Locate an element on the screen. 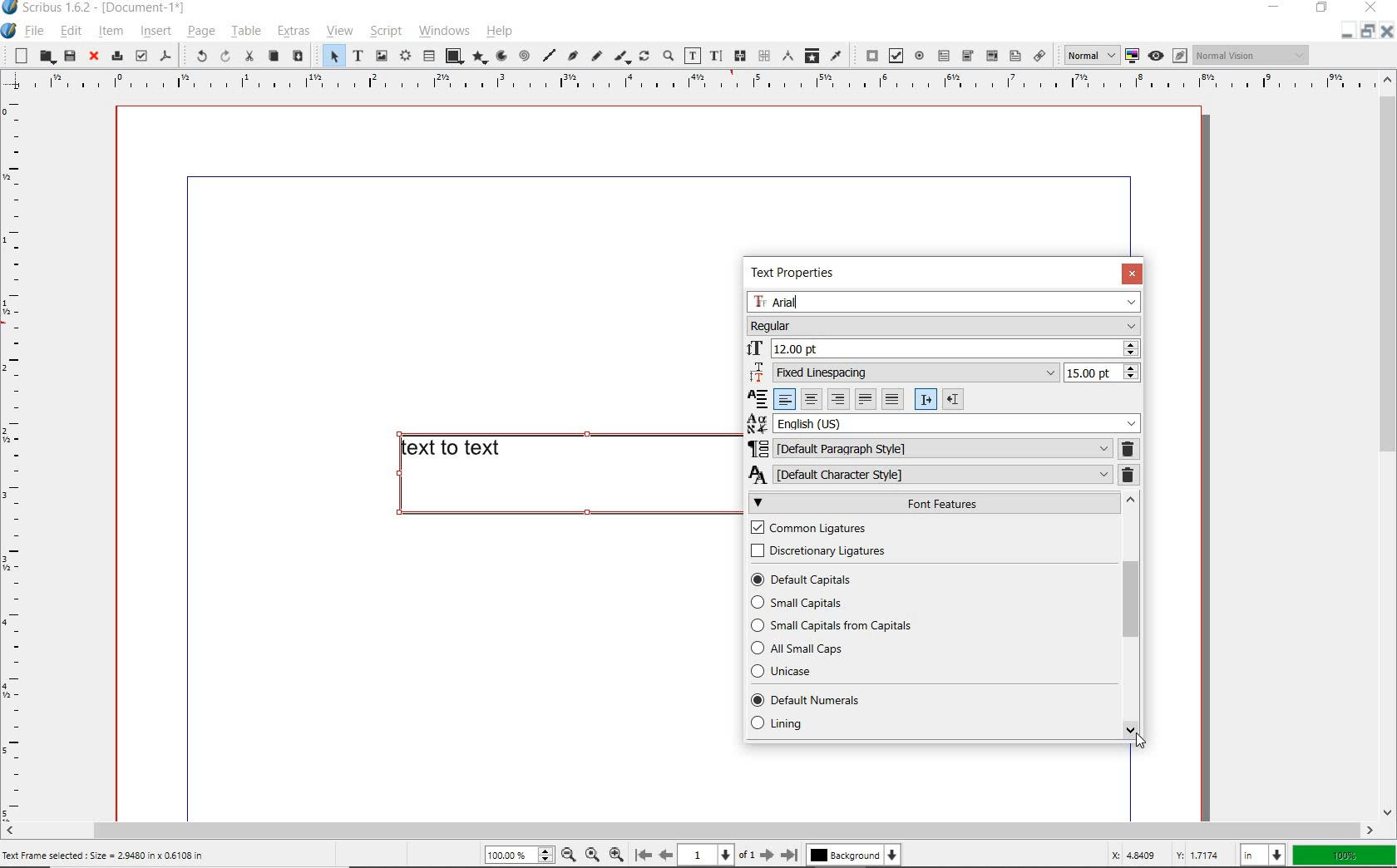 Image resolution: width=1397 pixels, height=868 pixels. Normal vision is located at coordinates (1251, 56).